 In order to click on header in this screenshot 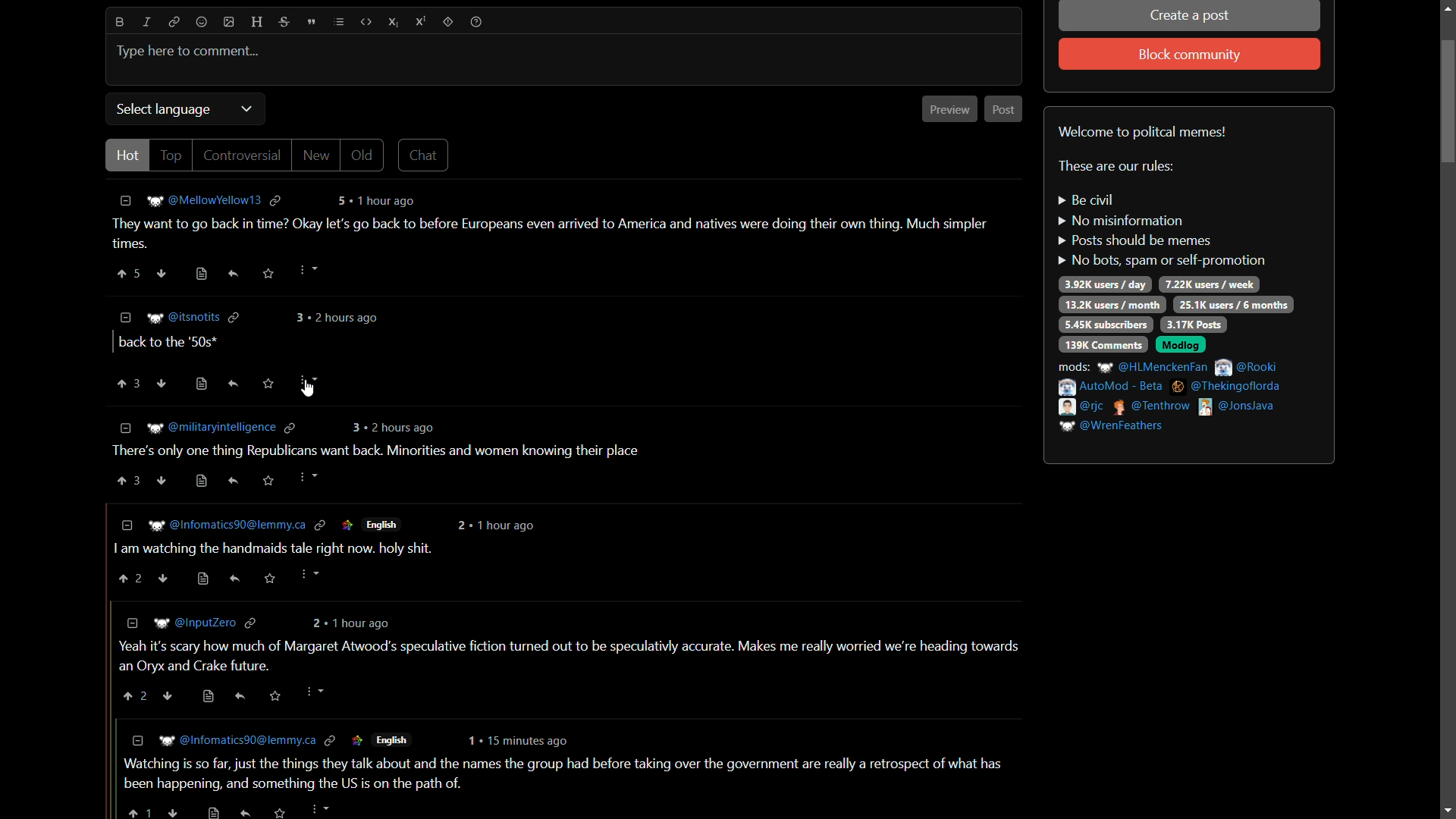, I will do `click(256, 23)`.